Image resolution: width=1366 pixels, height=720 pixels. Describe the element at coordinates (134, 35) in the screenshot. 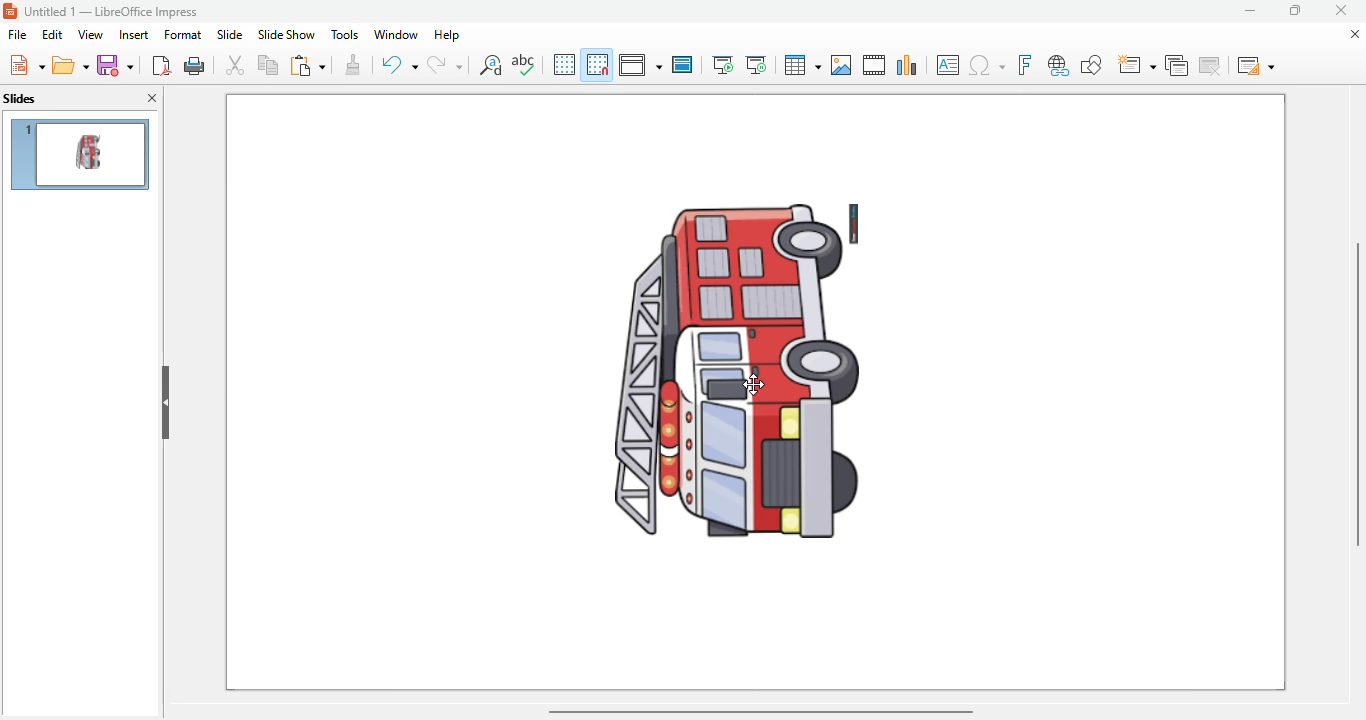

I see `insert` at that location.